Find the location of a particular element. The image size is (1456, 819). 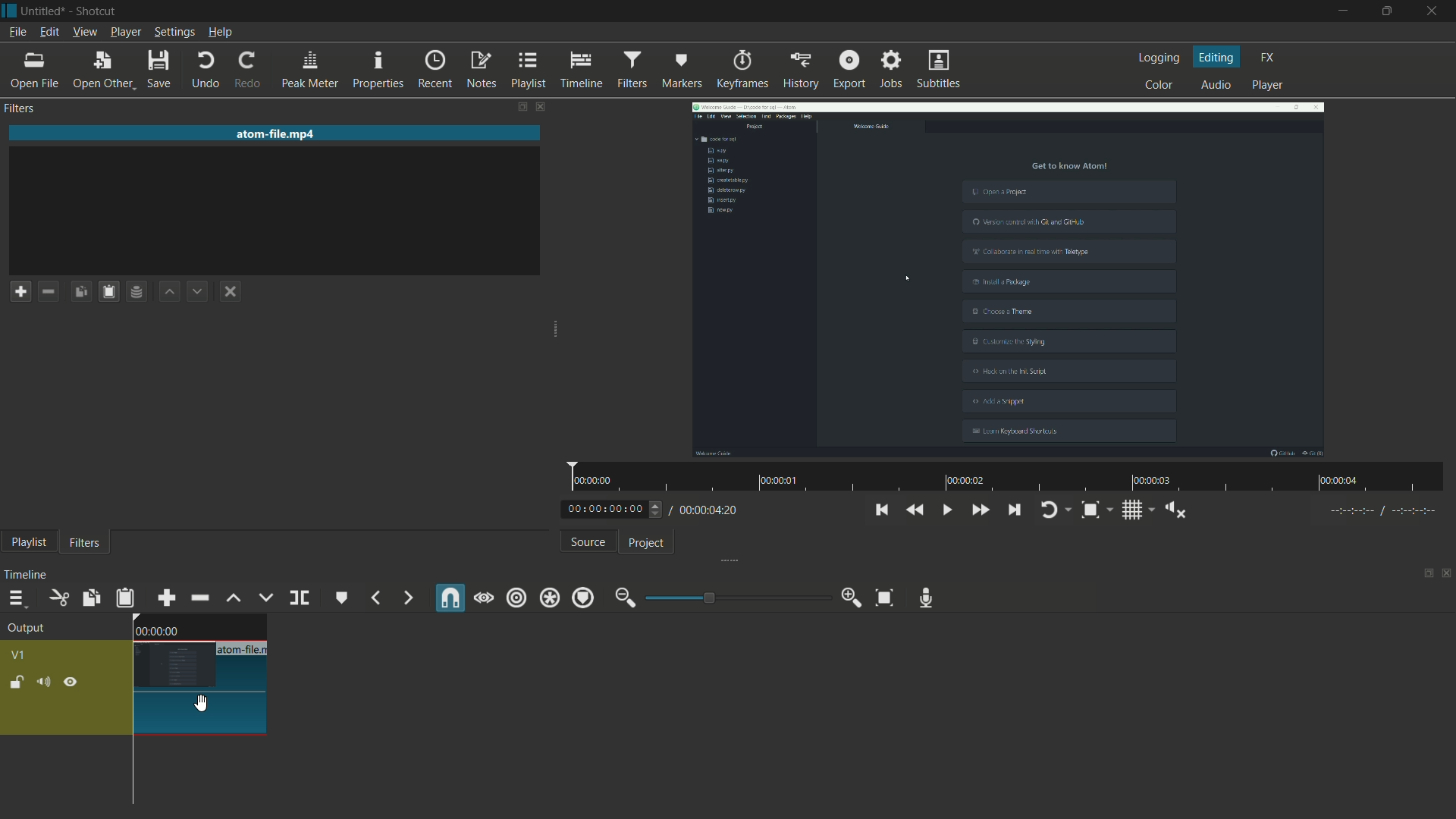

player is located at coordinates (1270, 86).